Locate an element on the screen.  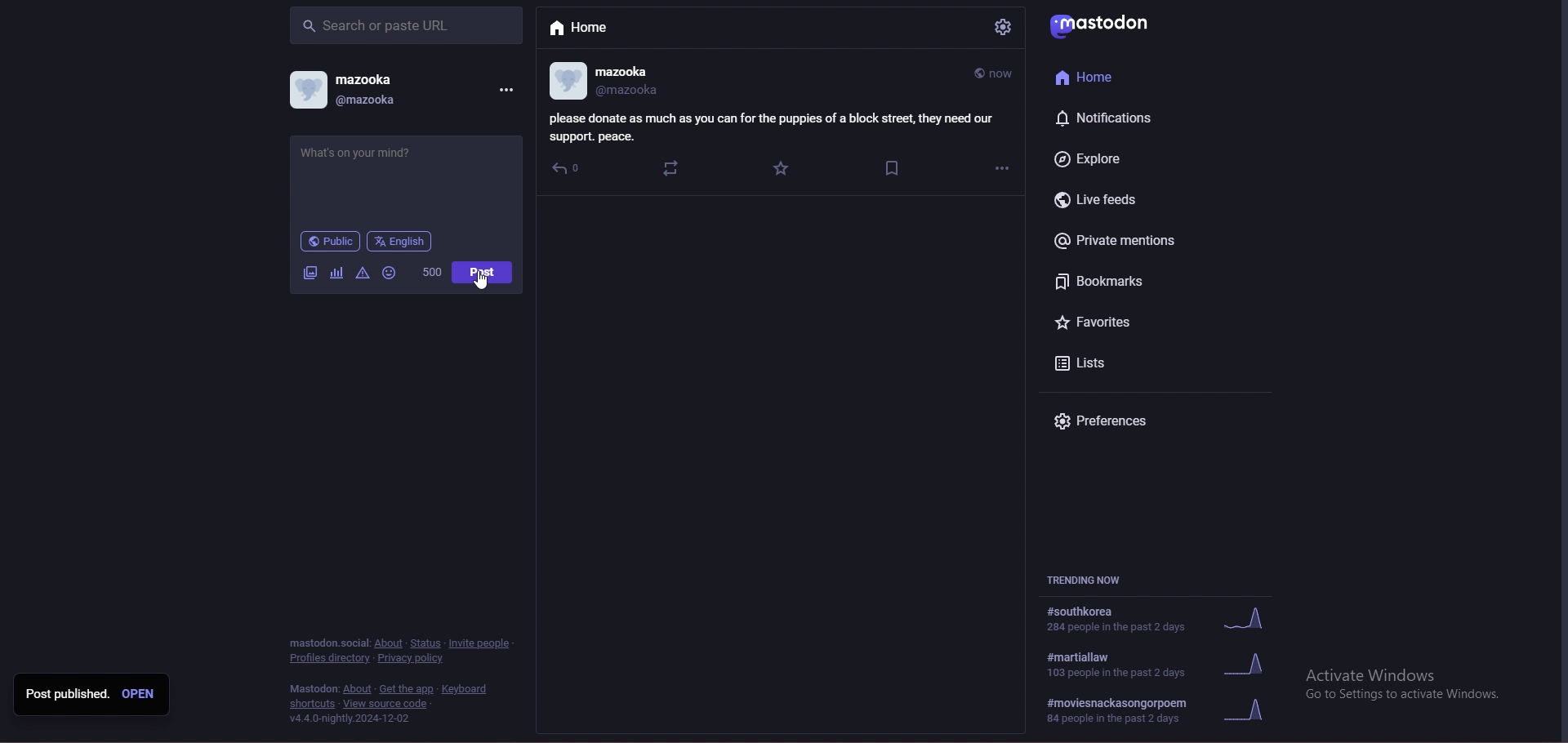
invite people is located at coordinates (481, 643).